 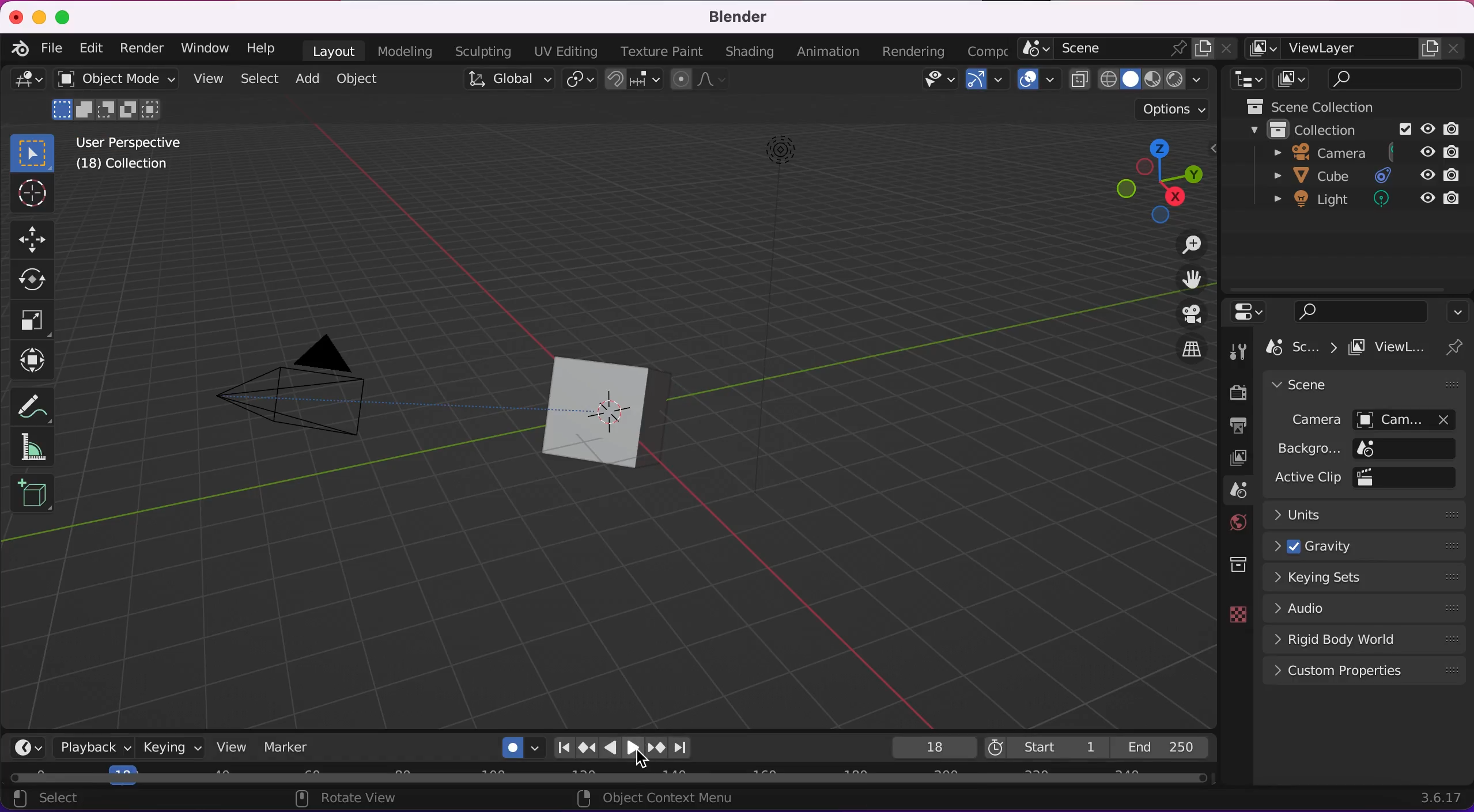 What do you see at coordinates (654, 797) in the screenshot?
I see `object context menu` at bounding box center [654, 797].